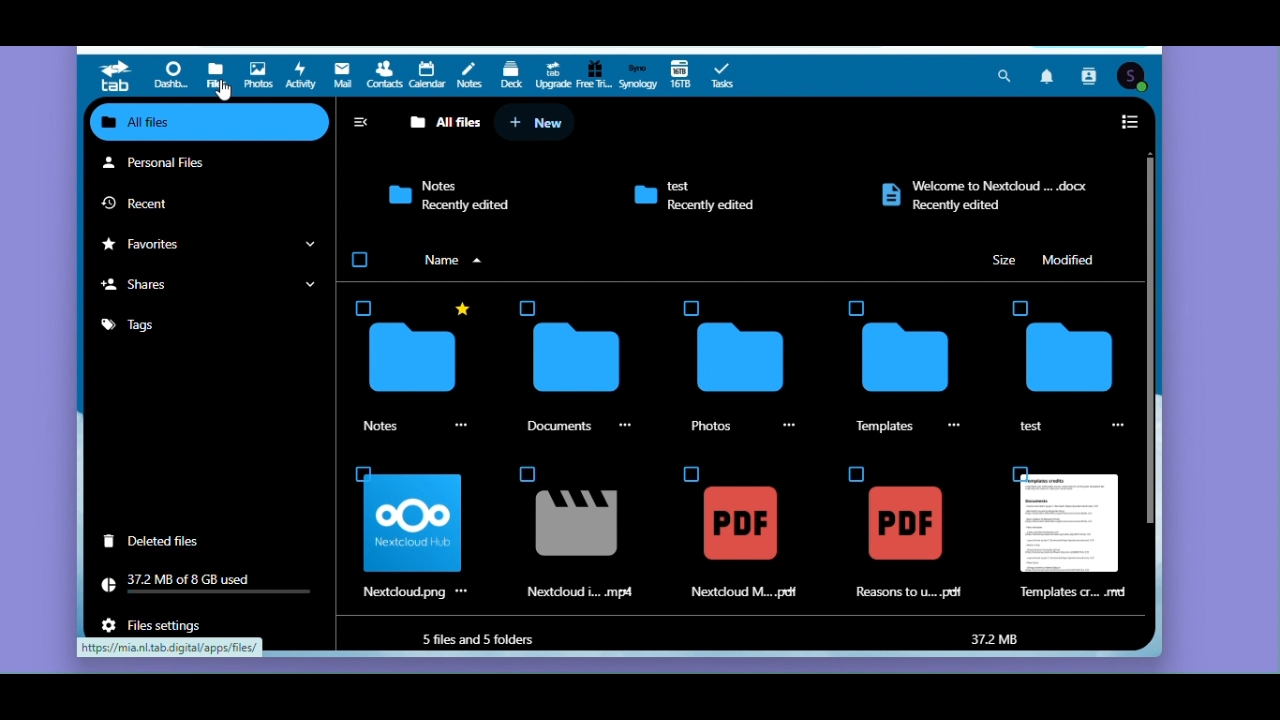  What do you see at coordinates (1001, 640) in the screenshot?
I see `37.2 MB` at bounding box center [1001, 640].